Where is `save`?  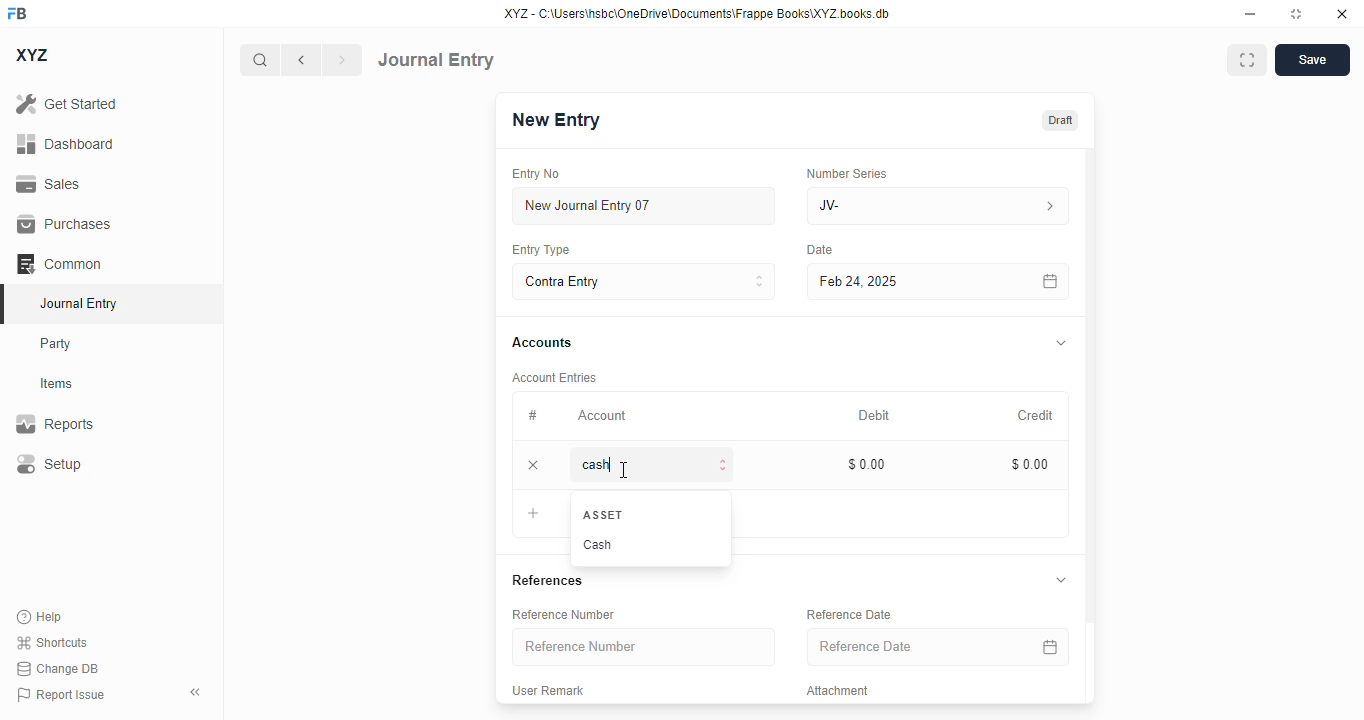
save is located at coordinates (1312, 60).